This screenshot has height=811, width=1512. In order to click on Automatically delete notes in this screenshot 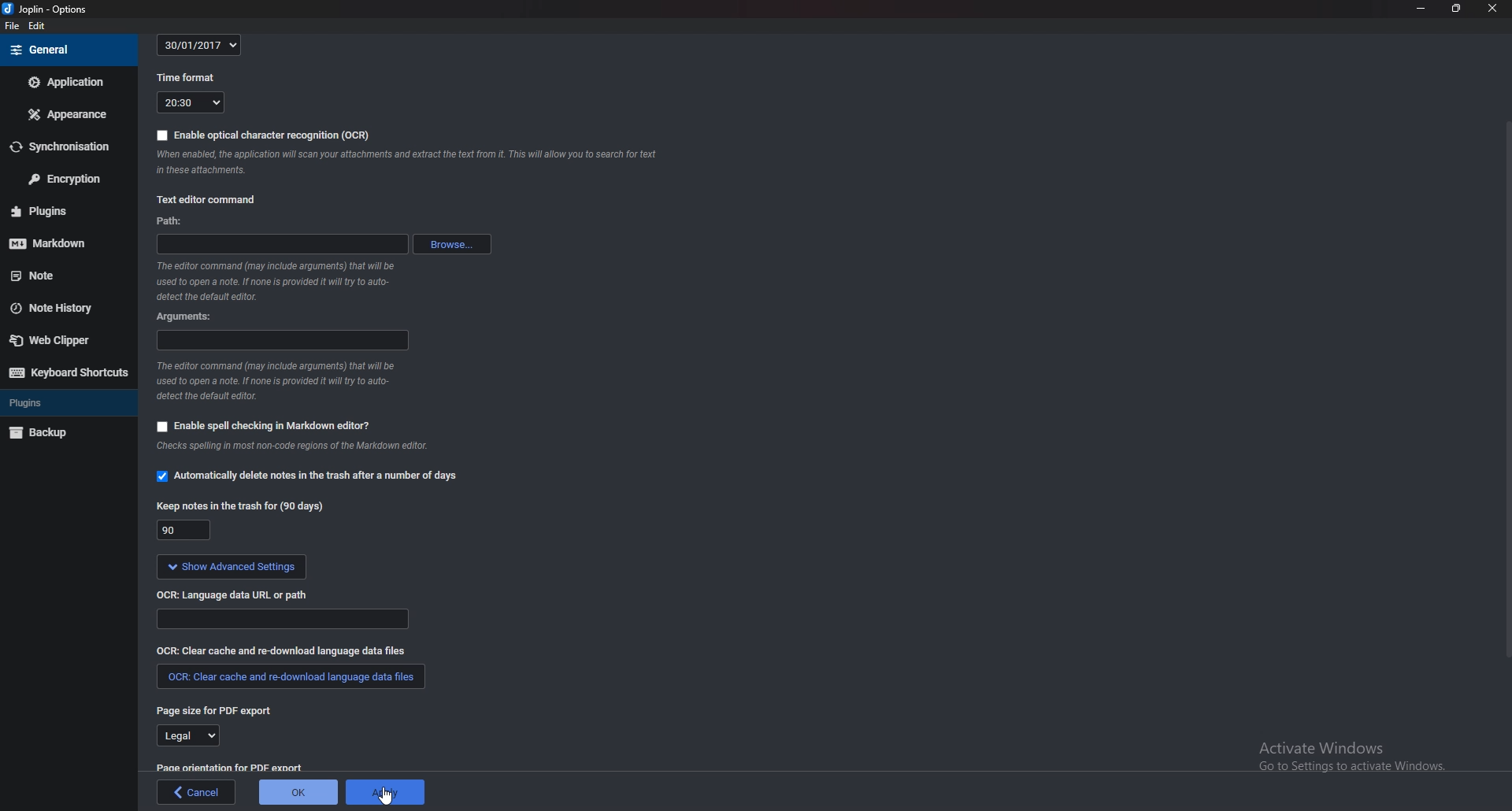, I will do `click(306, 476)`.